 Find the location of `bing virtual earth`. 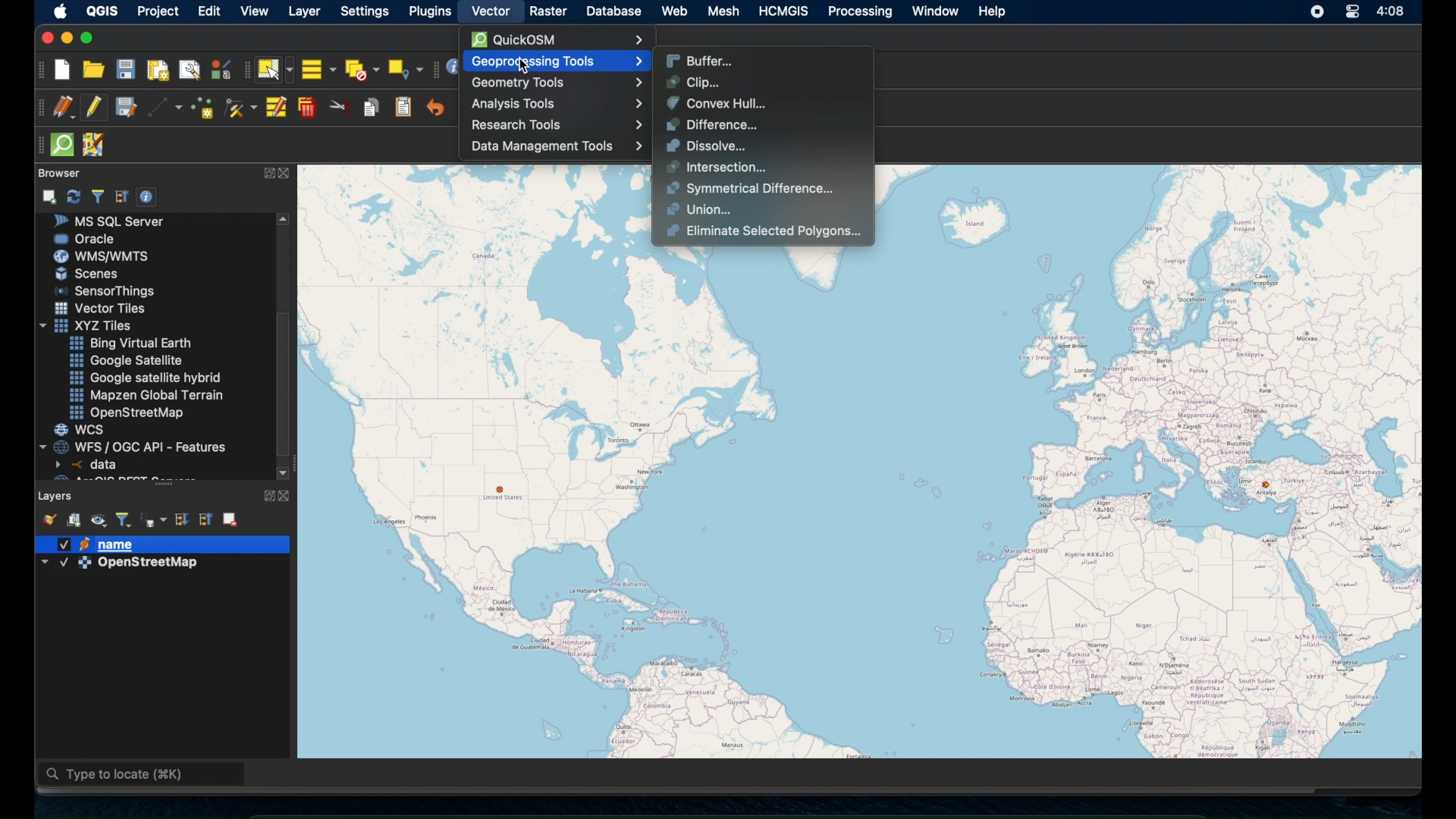

bing virtual earth is located at coordinates (129, 344).